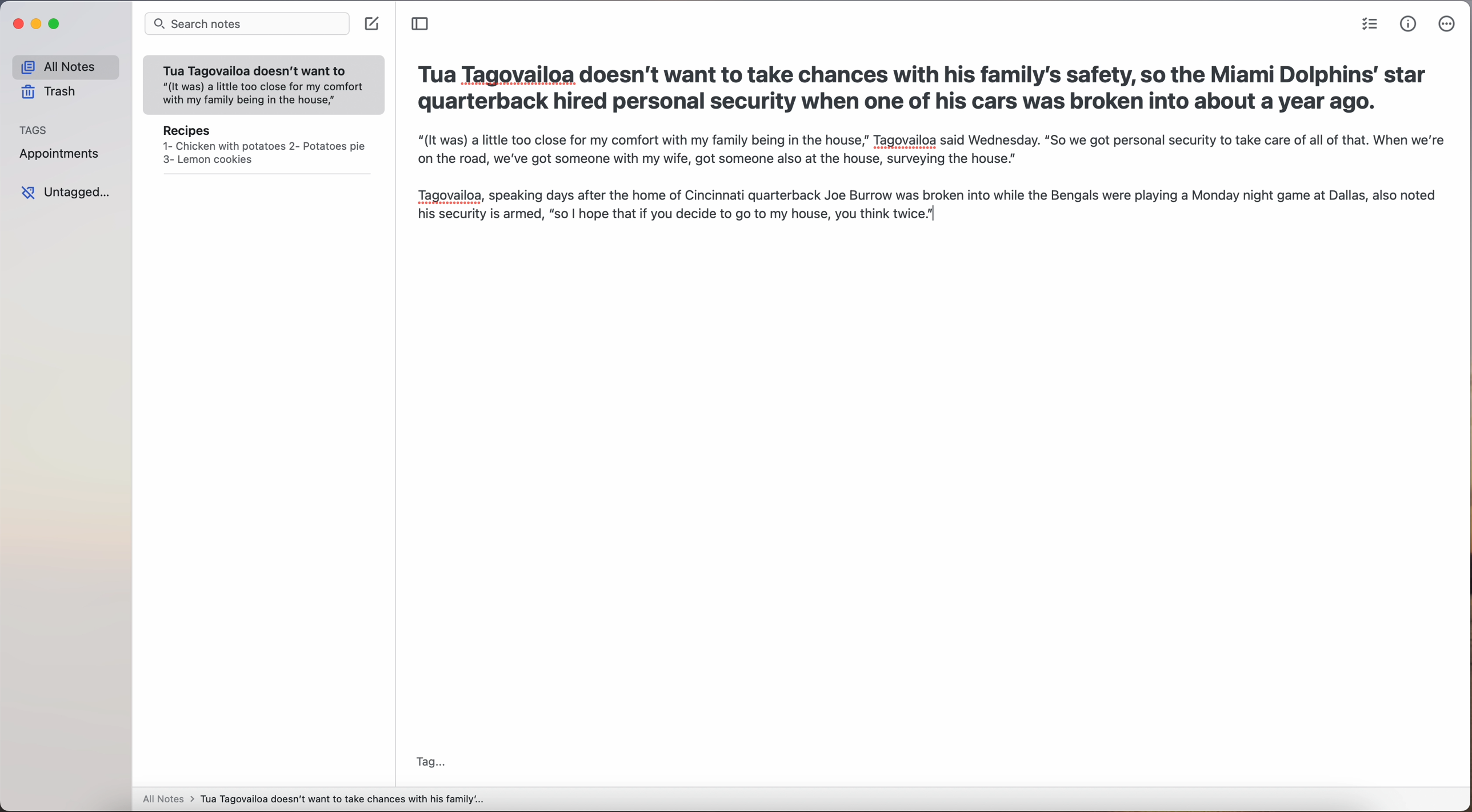 The height and width of the screenshot is (812, 1472). I want to click on click on metrics, so click(1404, 25).